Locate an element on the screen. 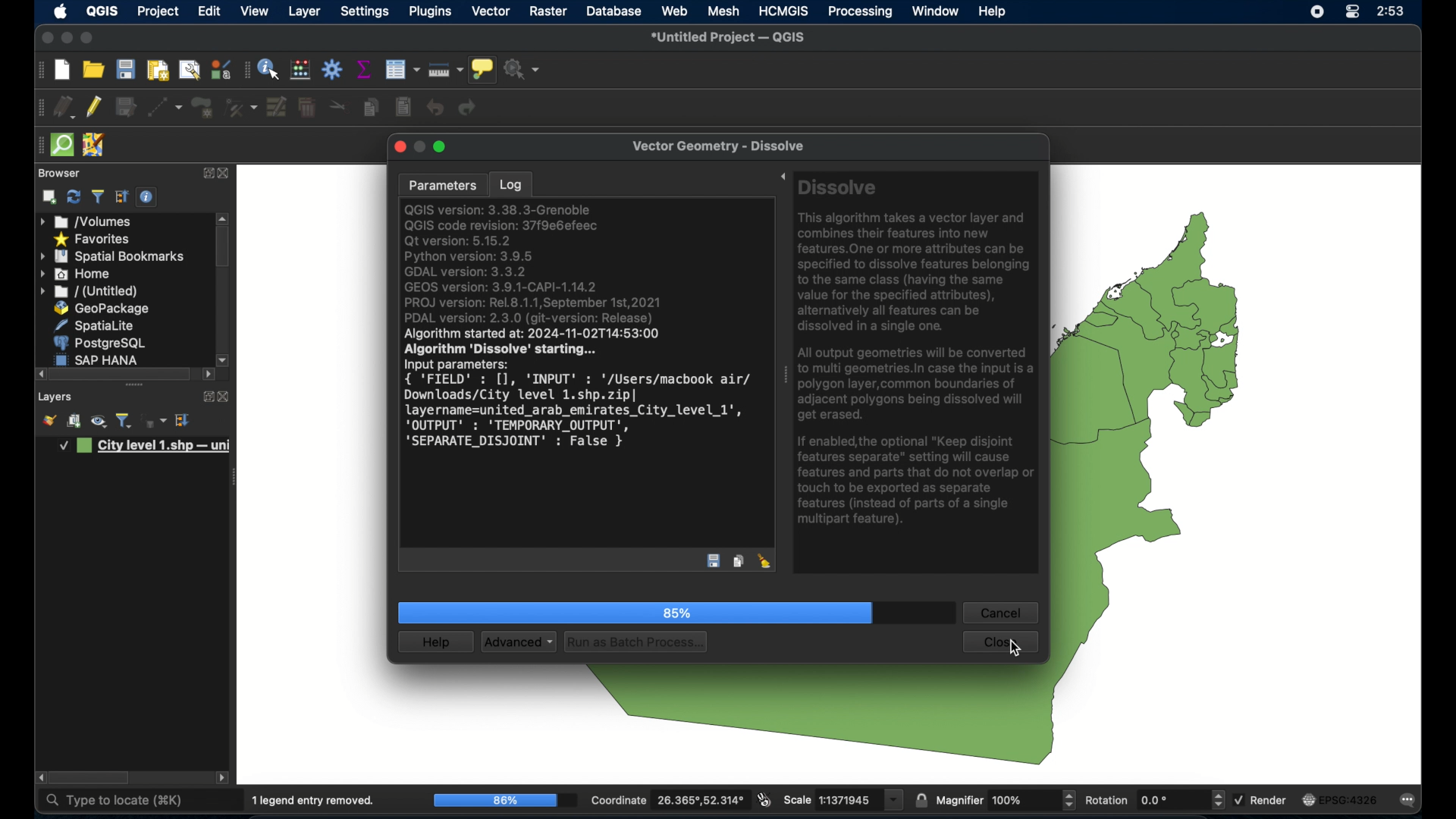  web is located at coordinates (674, 11).